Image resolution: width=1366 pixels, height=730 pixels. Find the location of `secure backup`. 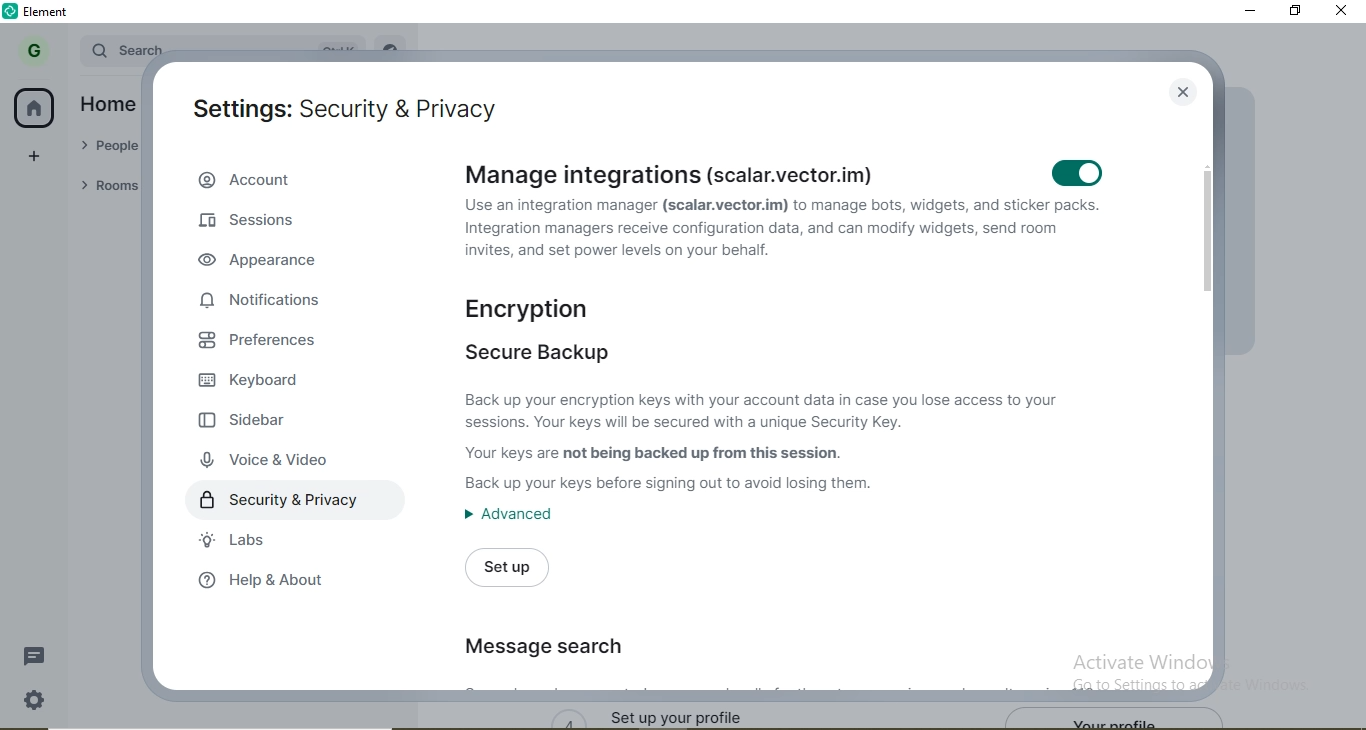

secure backup is located at coordinates (534, 354).